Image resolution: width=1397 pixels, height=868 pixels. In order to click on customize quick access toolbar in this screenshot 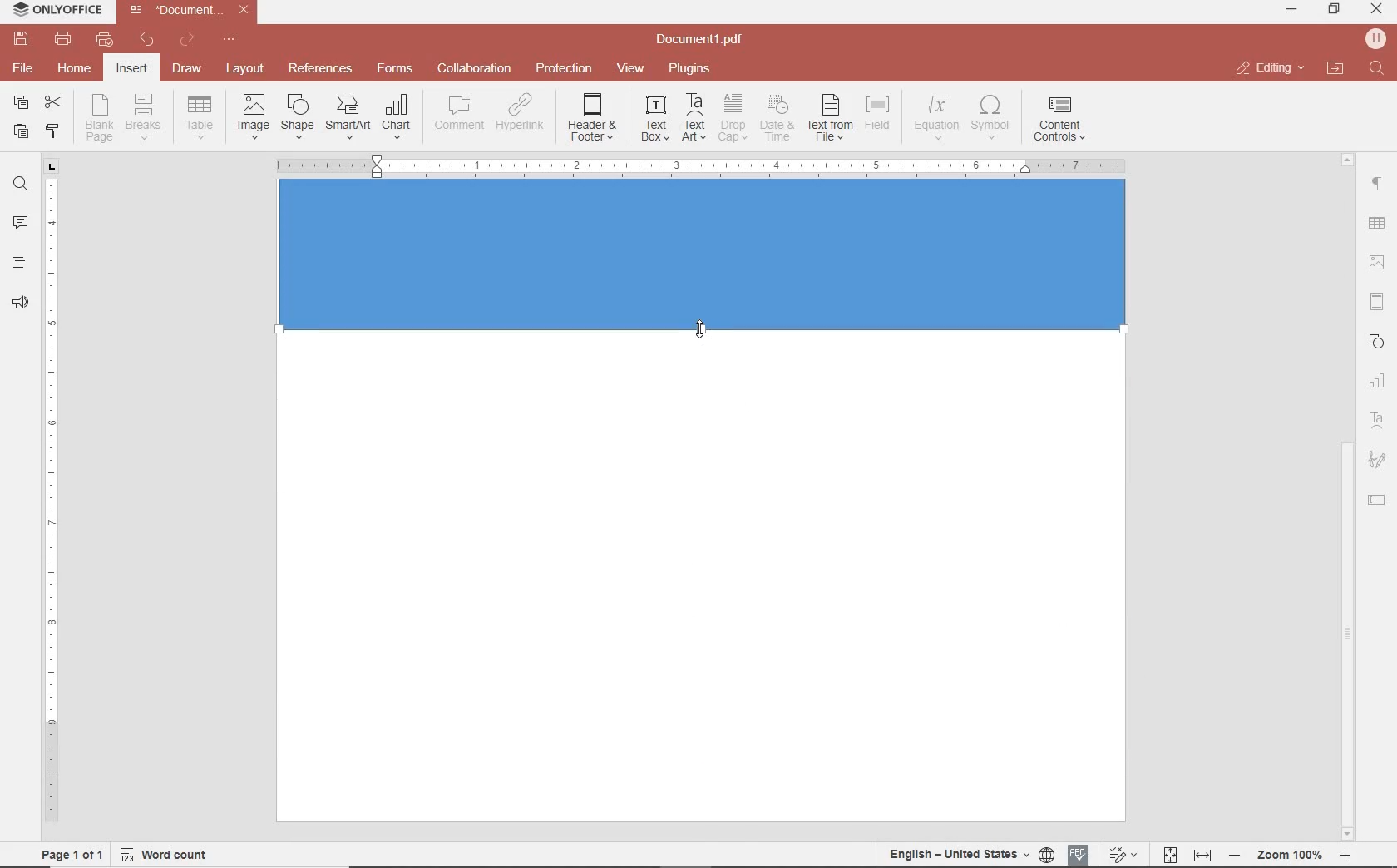, I will do `click(229, 40)`.